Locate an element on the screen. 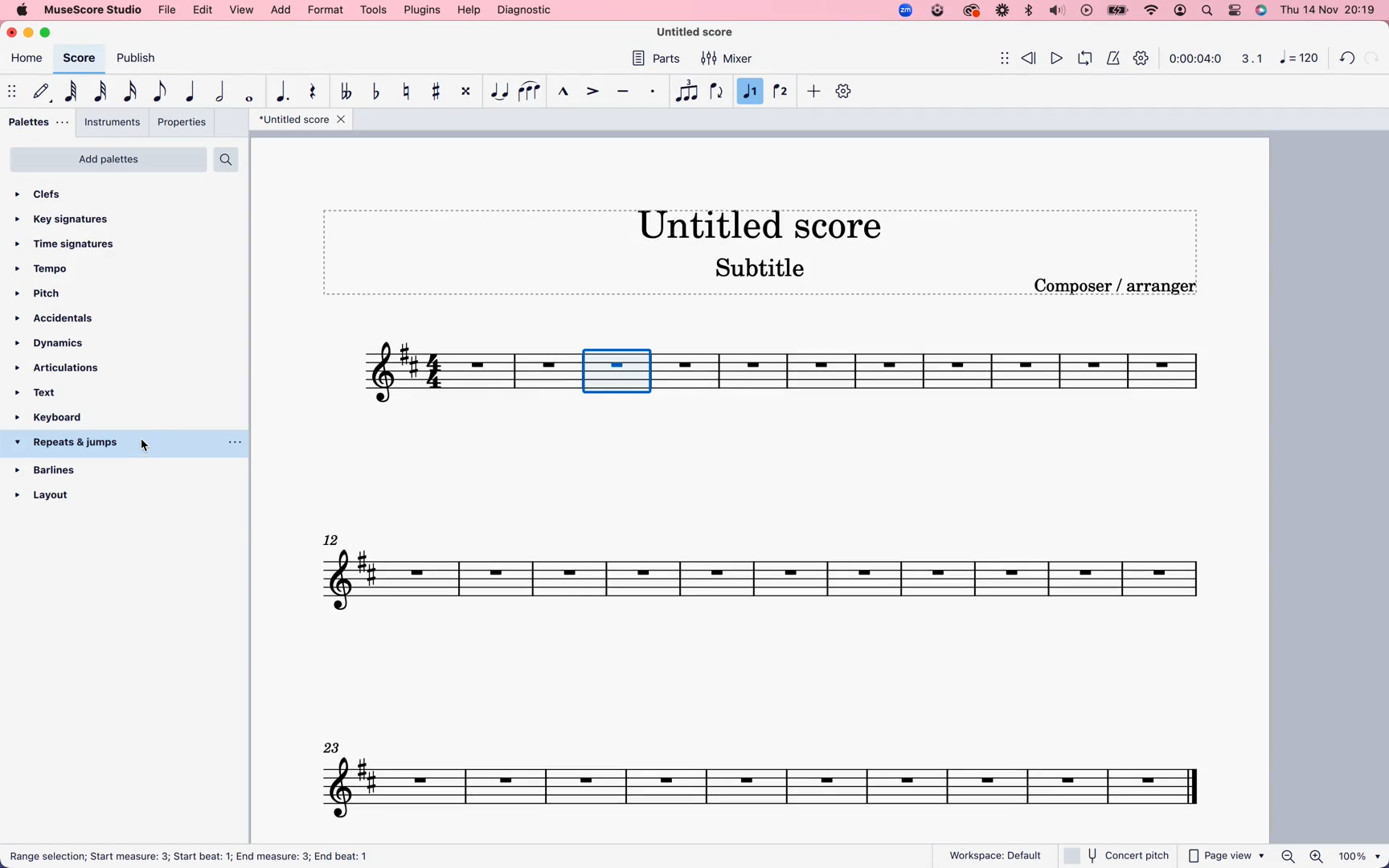 The height and width of the screenshot is (868, 1389). maximize is located at coordinates (50, 33).